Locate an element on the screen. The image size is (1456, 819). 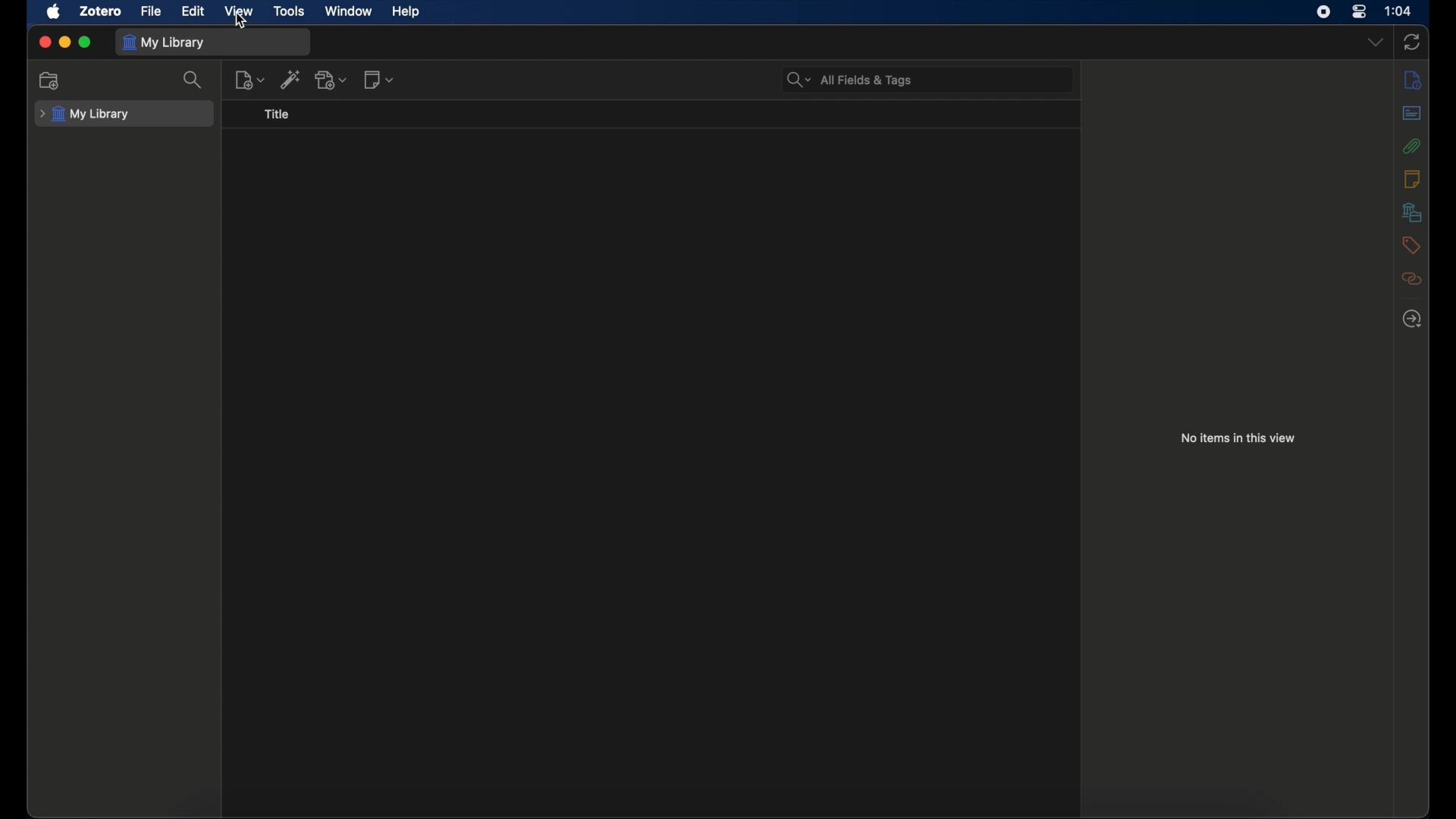
new notes is located at coordinates (381, 80).